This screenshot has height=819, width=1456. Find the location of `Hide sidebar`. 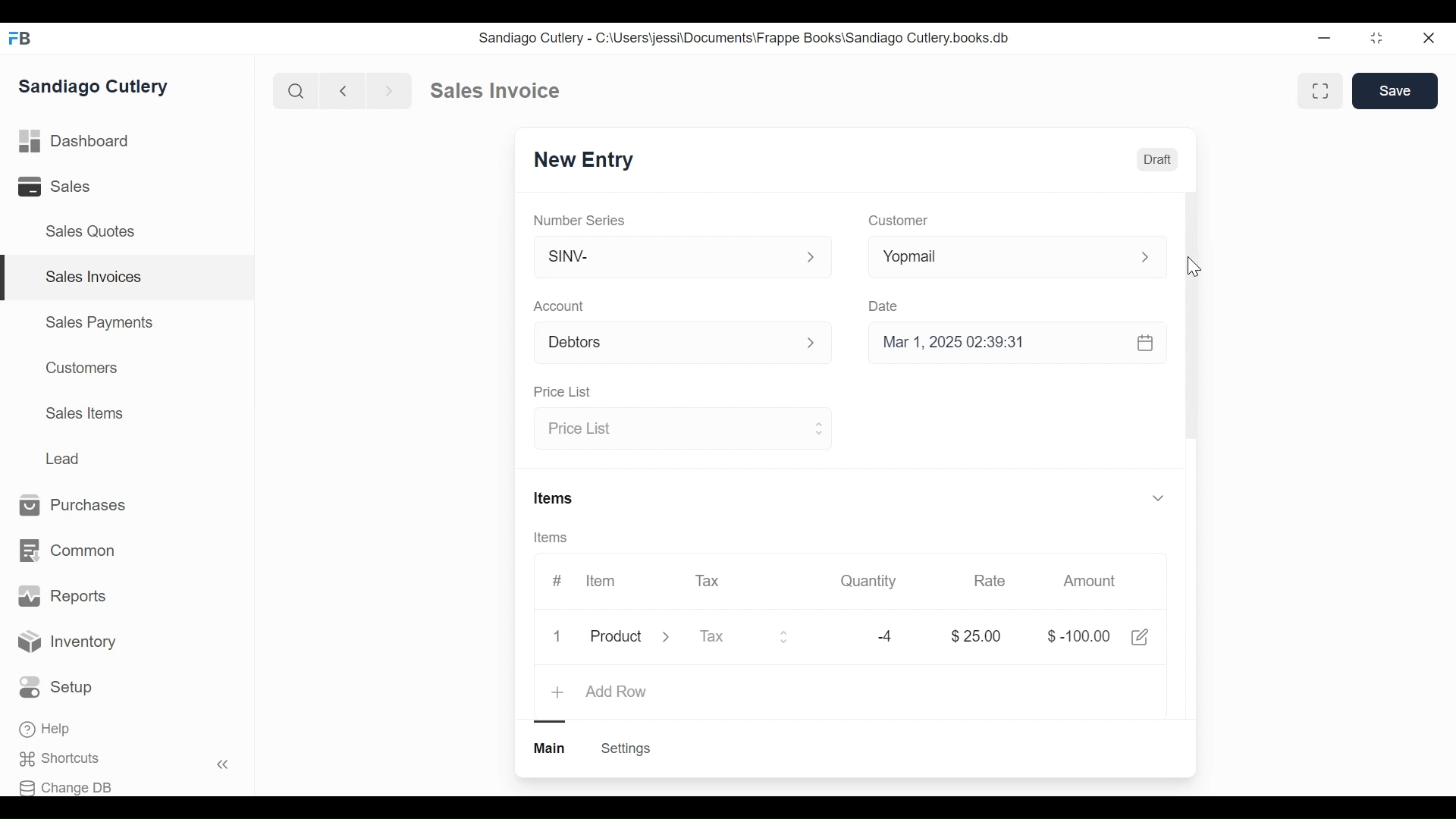

Hide sidebar is located at coordinates (224, 764).